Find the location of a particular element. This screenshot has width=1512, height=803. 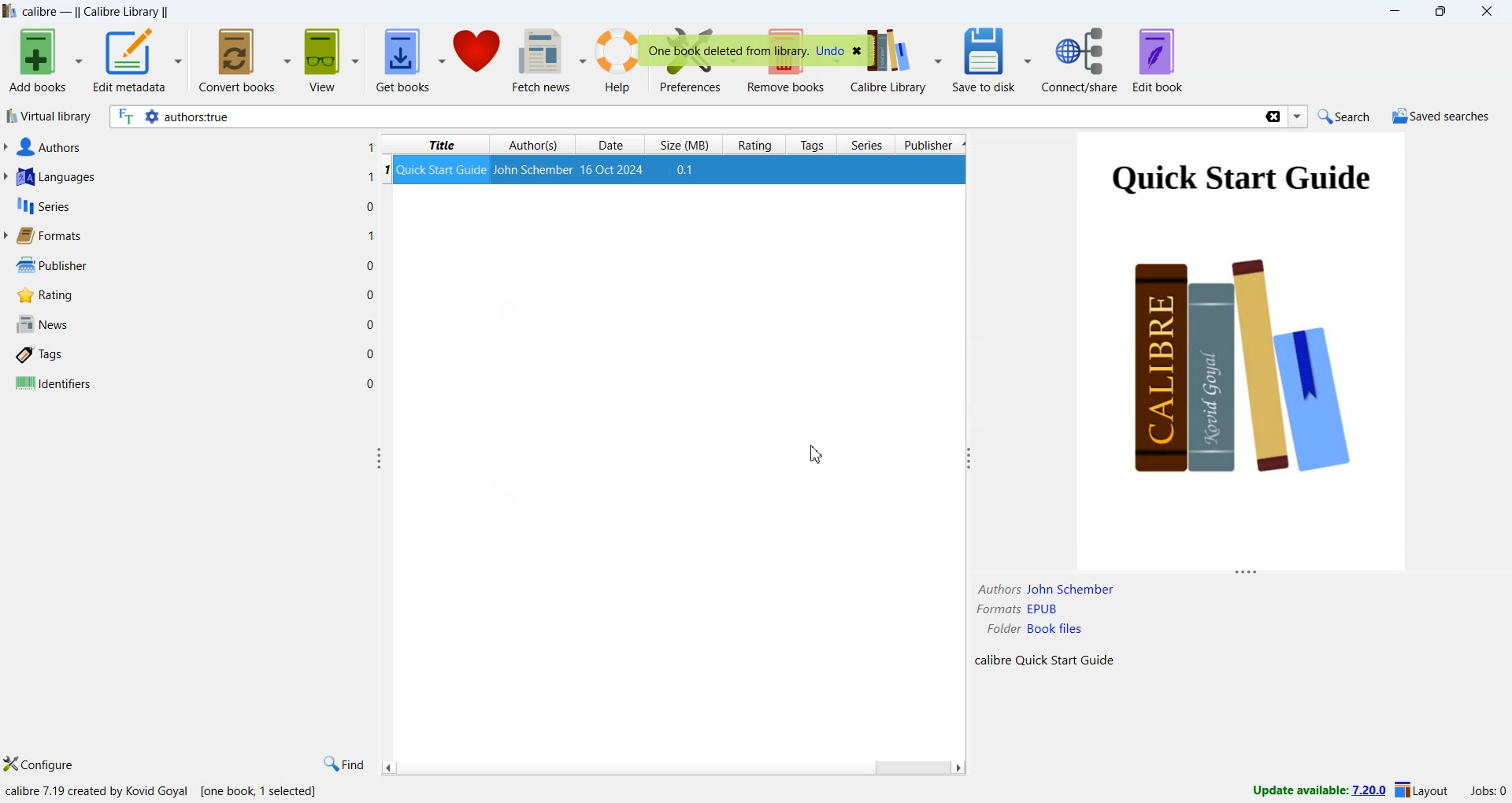

tags is located at coordinates (42, 356).